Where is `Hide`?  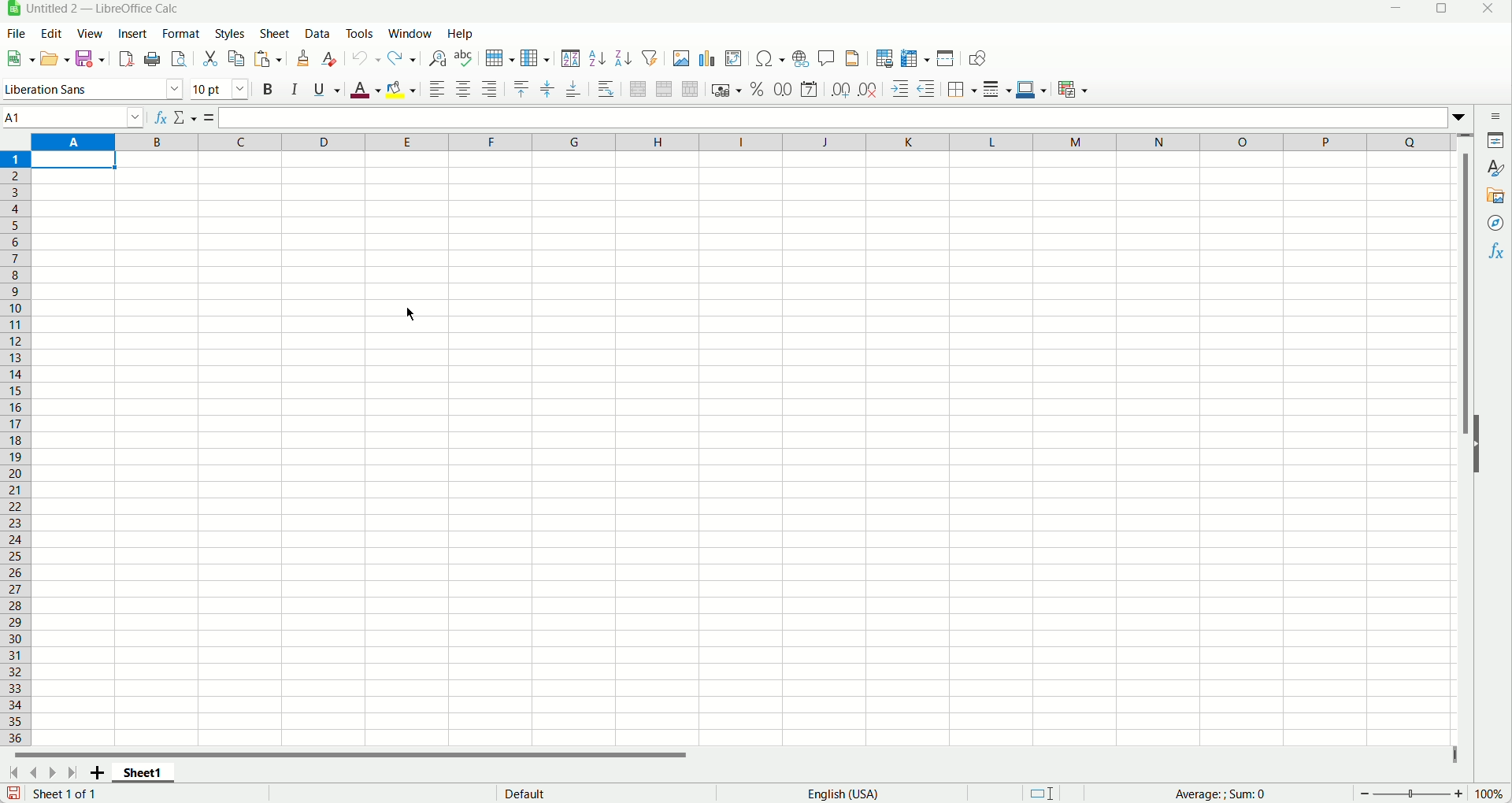
Hide is located at coordinates (1484, 443).